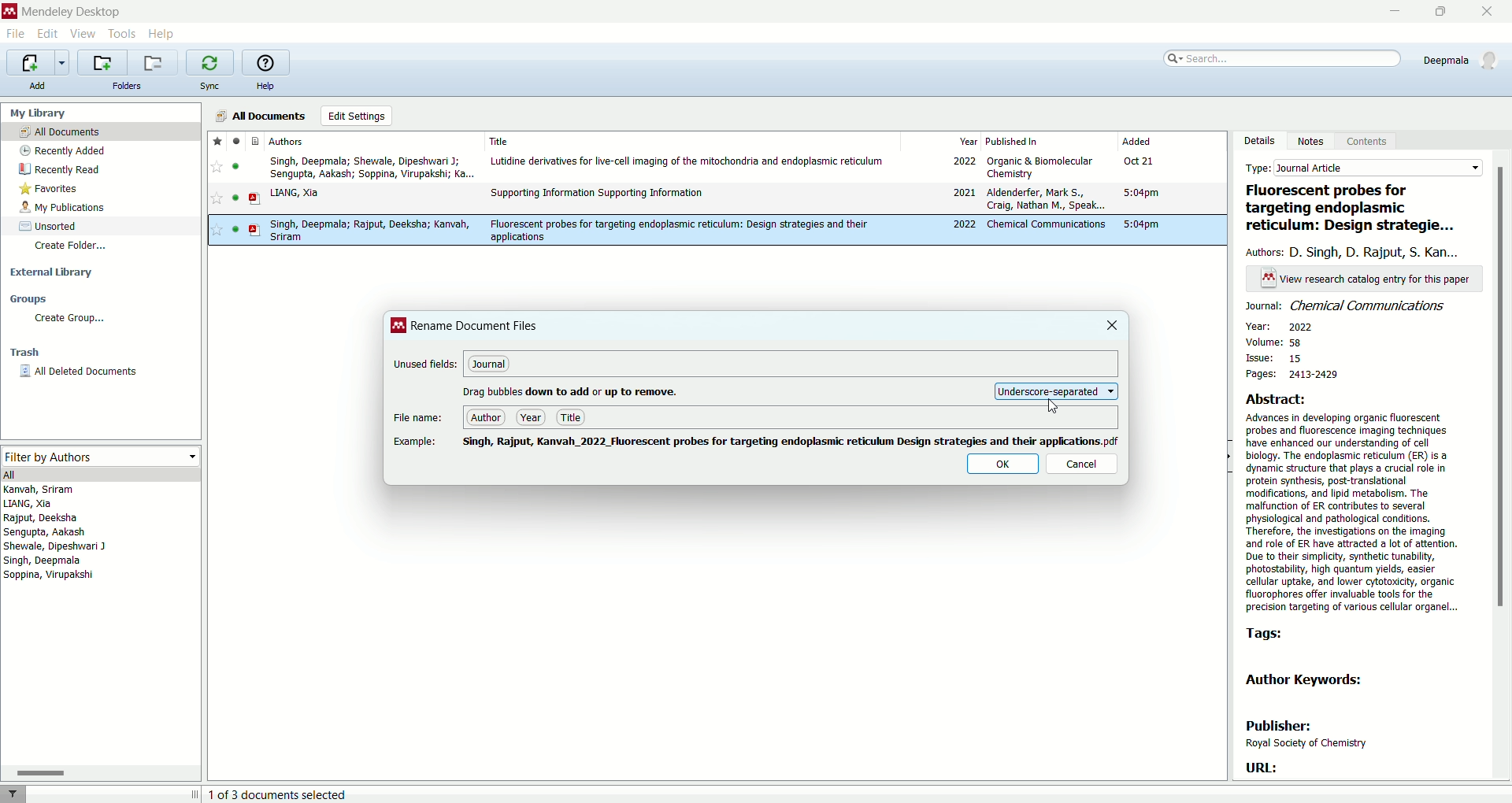  I want to click on underscore-separated, so click(1055, 390).